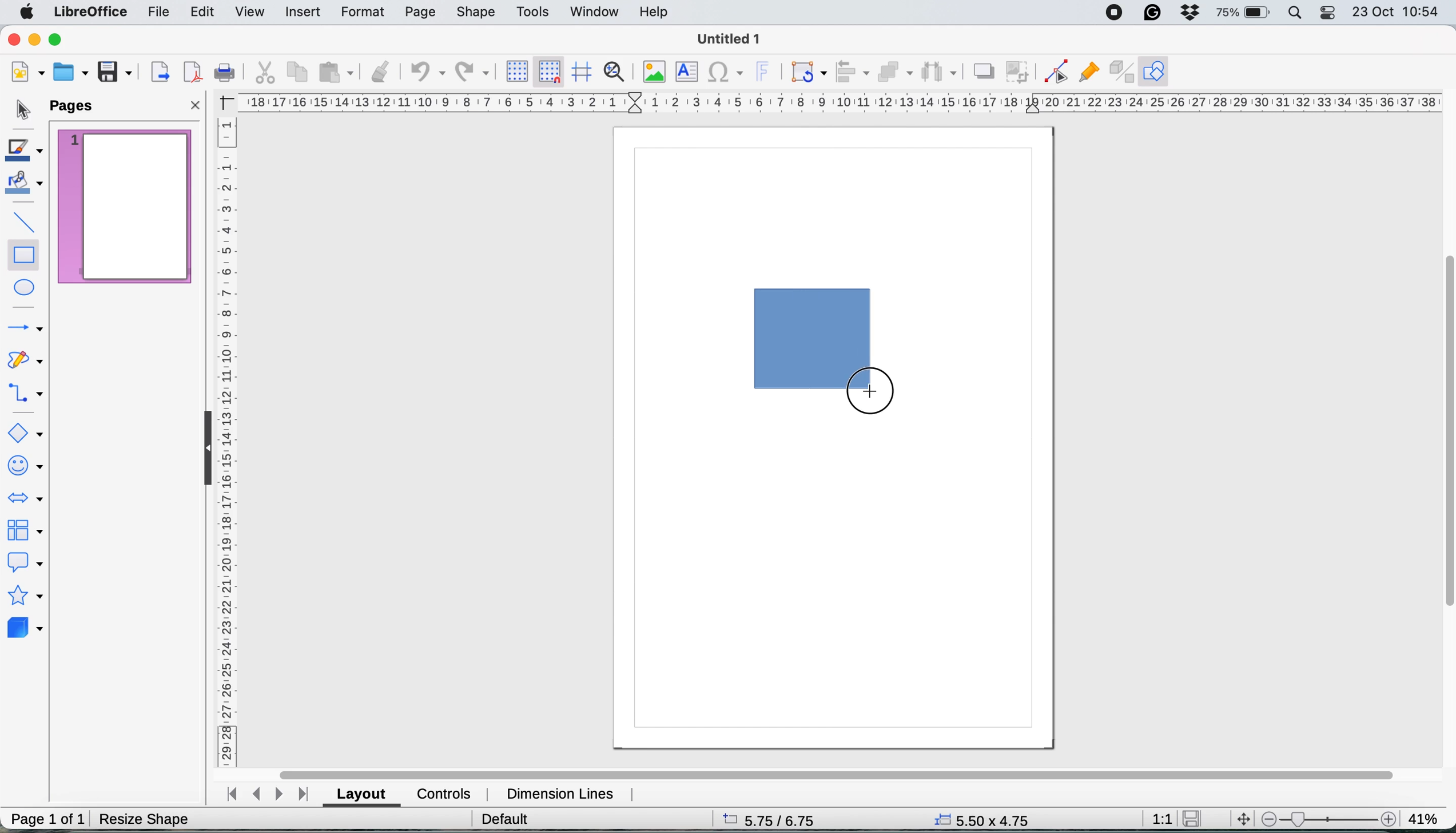  What do you see at coordinates (726, 40) in the screenshot?
I see `Untitled 1` at bounding box center [726, 40].